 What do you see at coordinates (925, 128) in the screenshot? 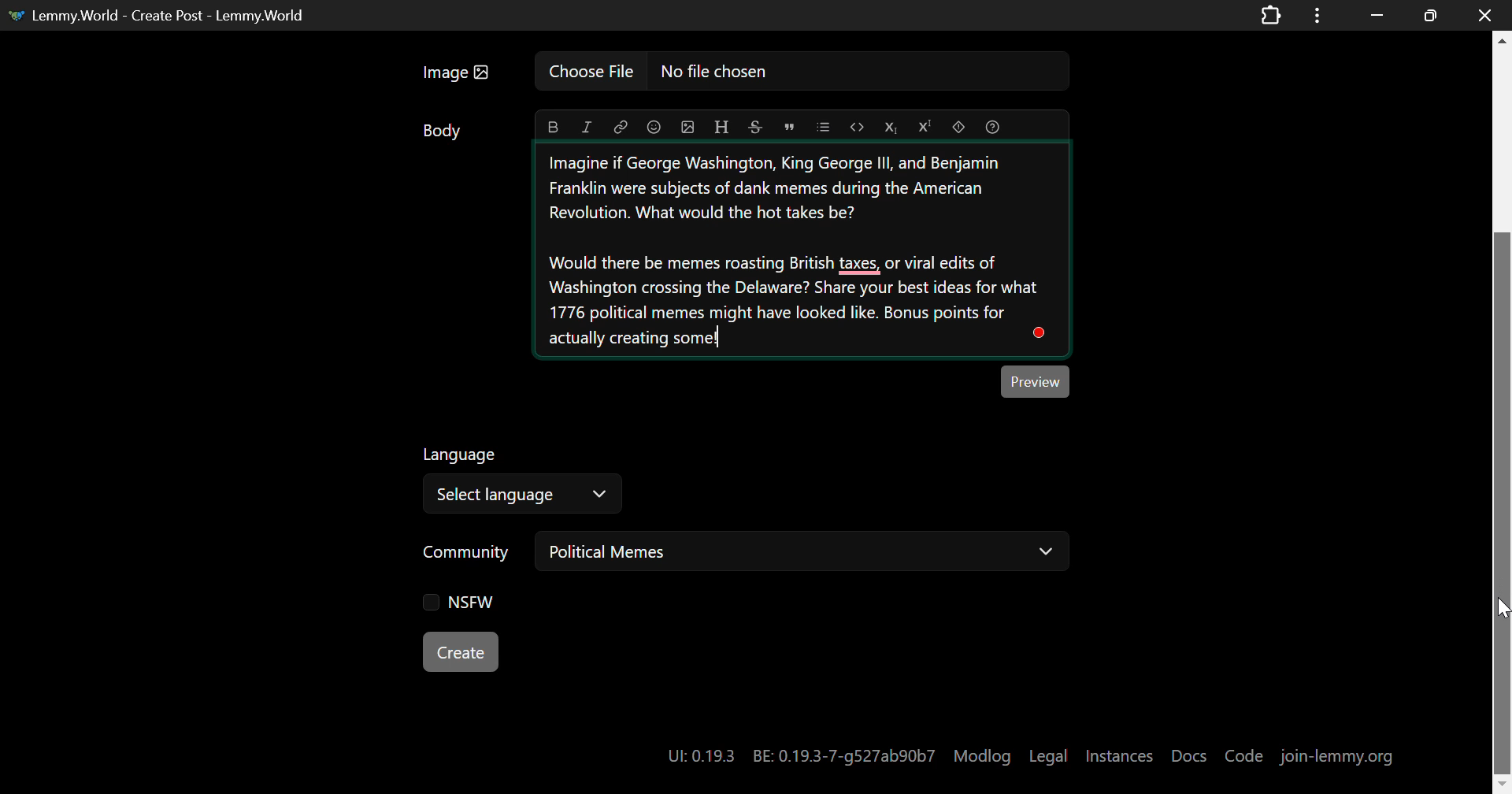
I see `Superscript` at bounding box center [925, 128].